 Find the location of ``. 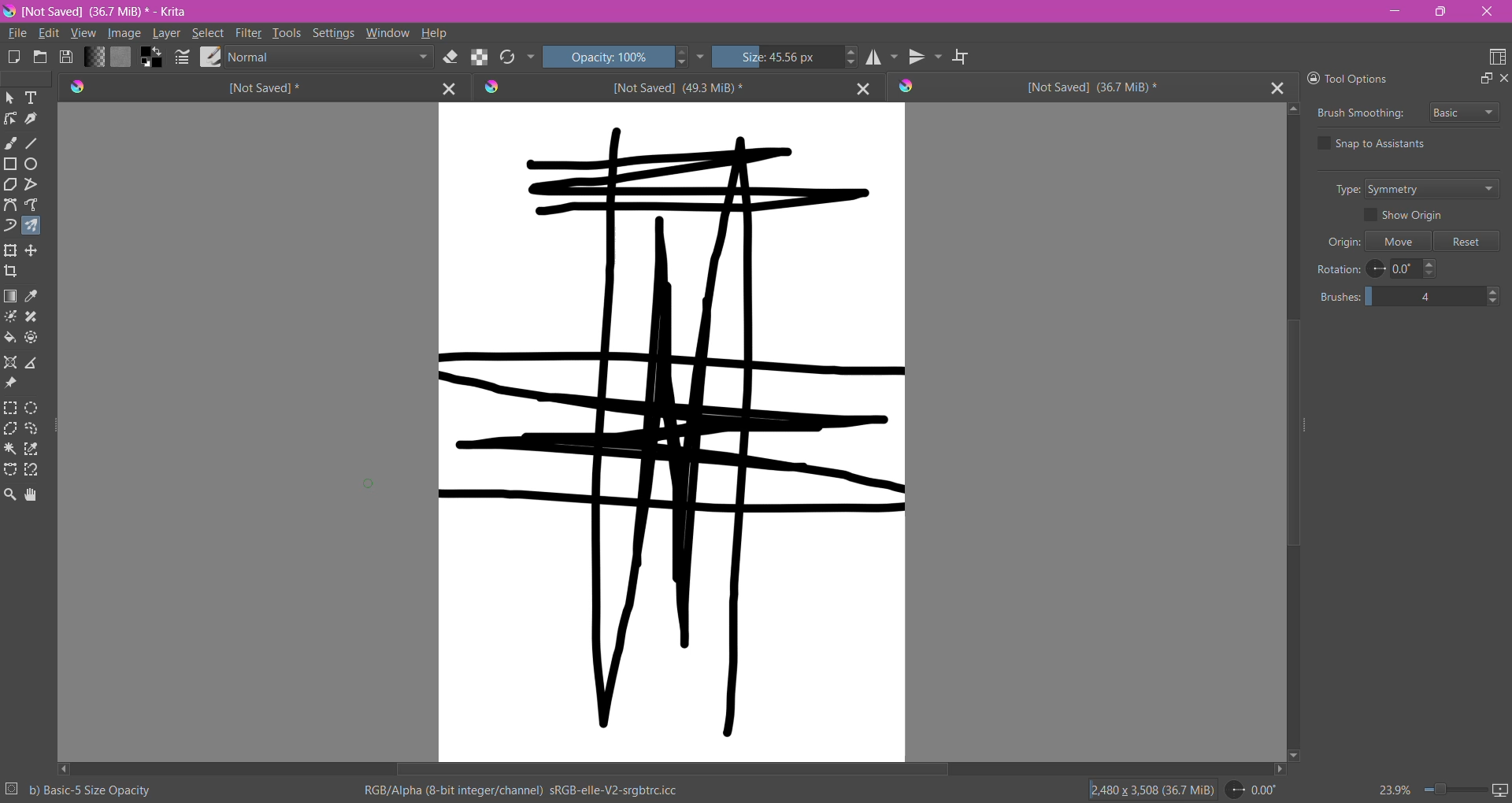

 is located at coordinates (332, 34).